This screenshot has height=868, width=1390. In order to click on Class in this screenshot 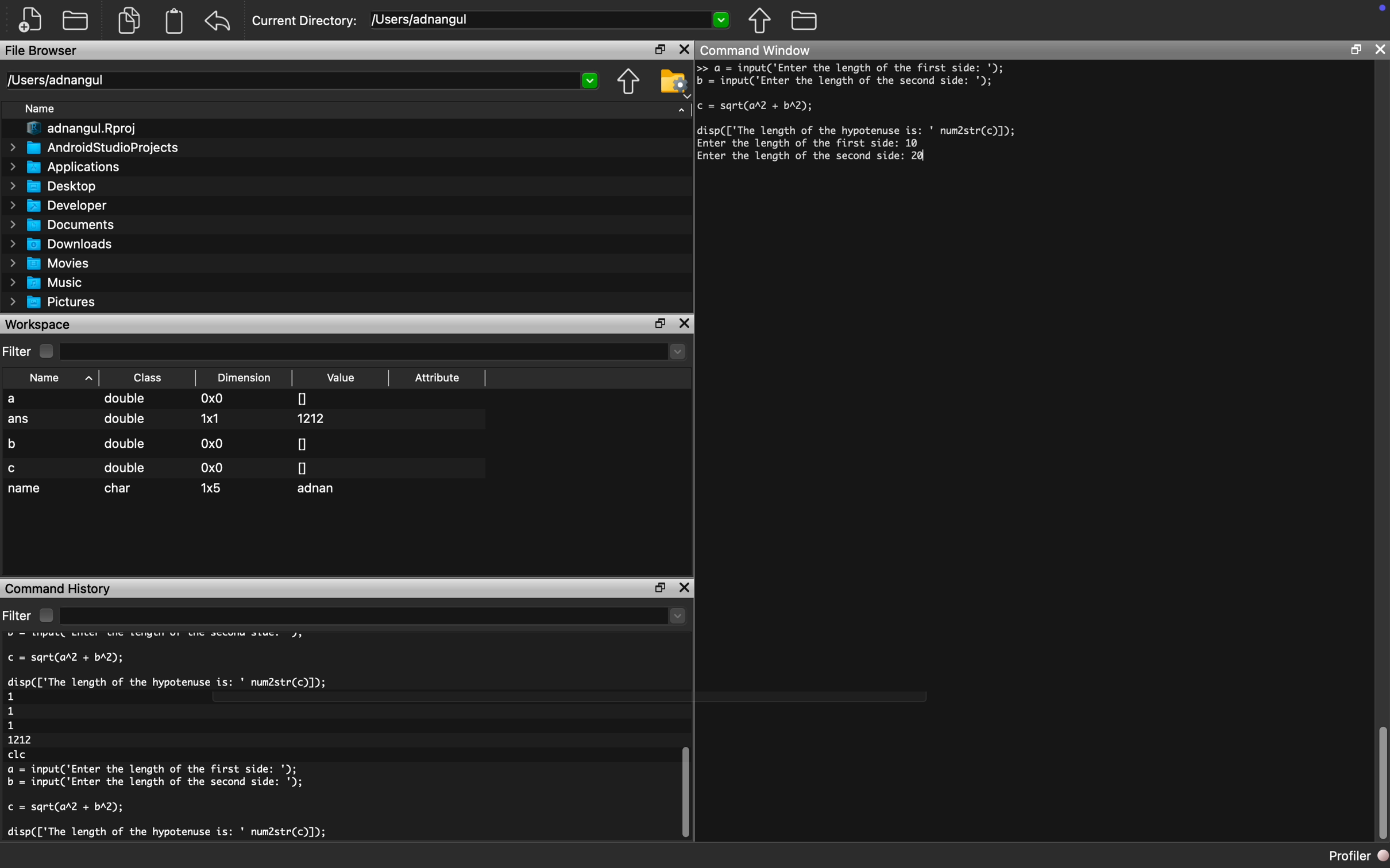, I will do `click(148, 377)`.